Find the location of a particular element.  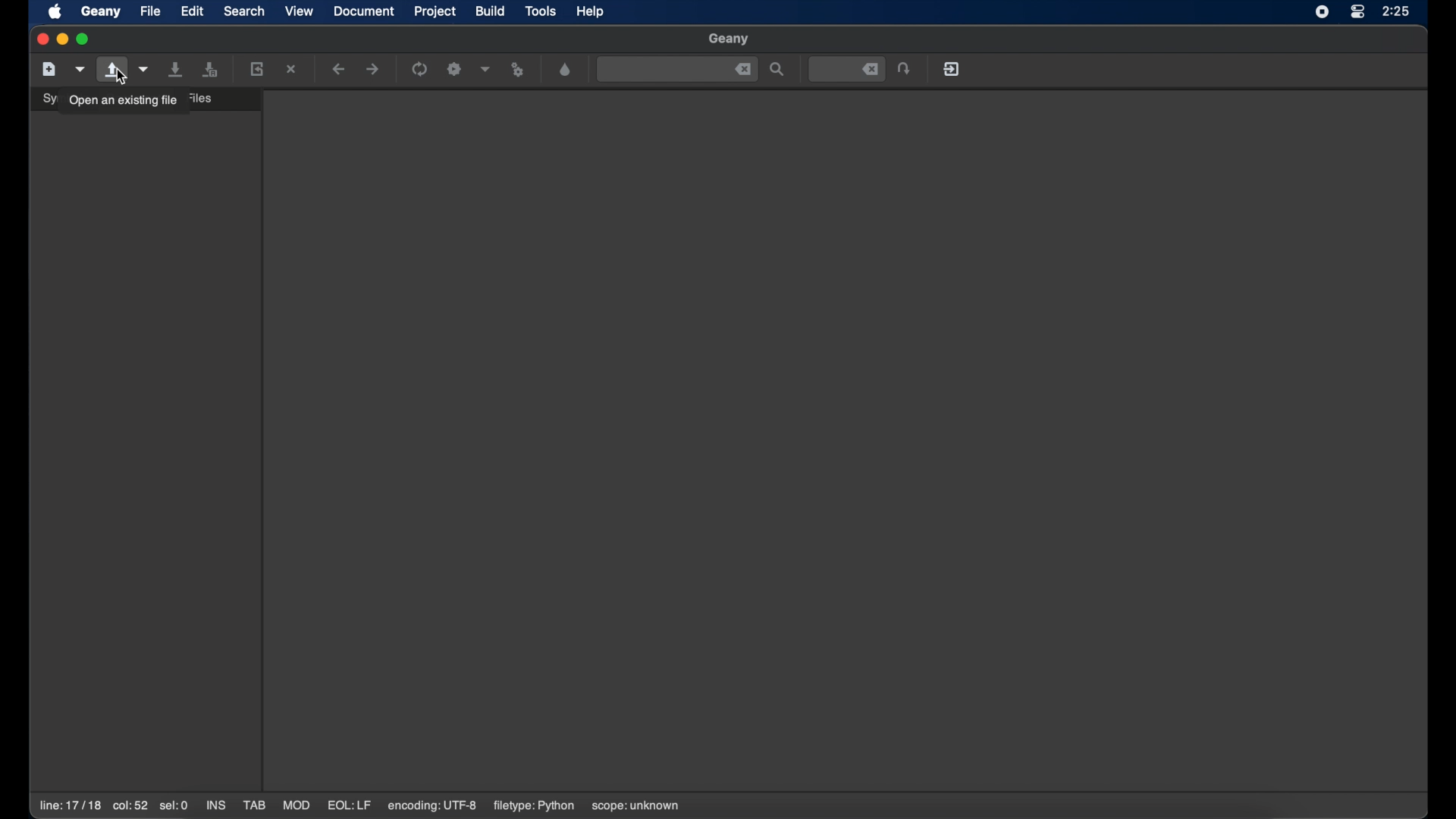

eql:lf is located at coordinates (350, 805).